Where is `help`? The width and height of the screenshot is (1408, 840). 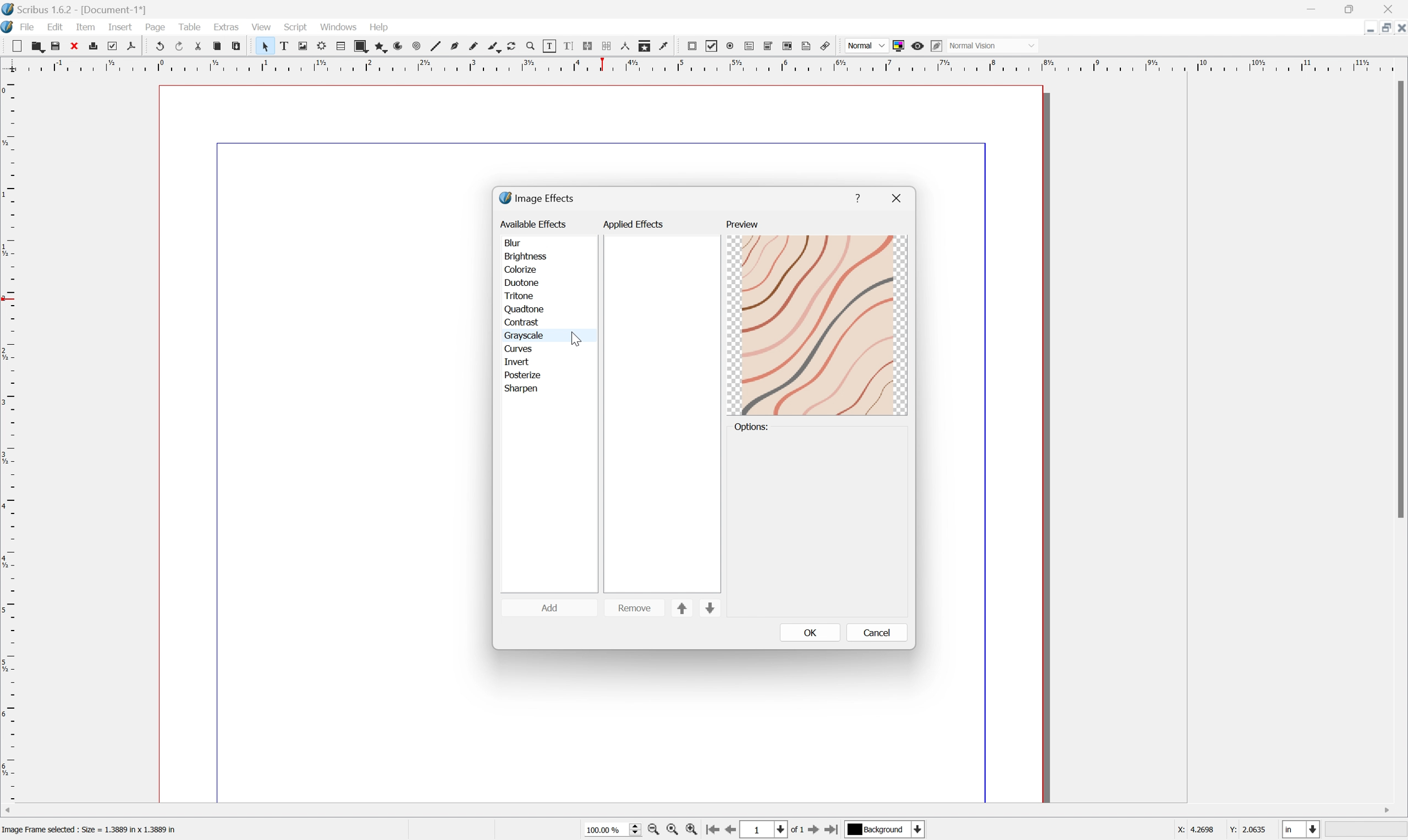
help is located at coordinates (858, 194).